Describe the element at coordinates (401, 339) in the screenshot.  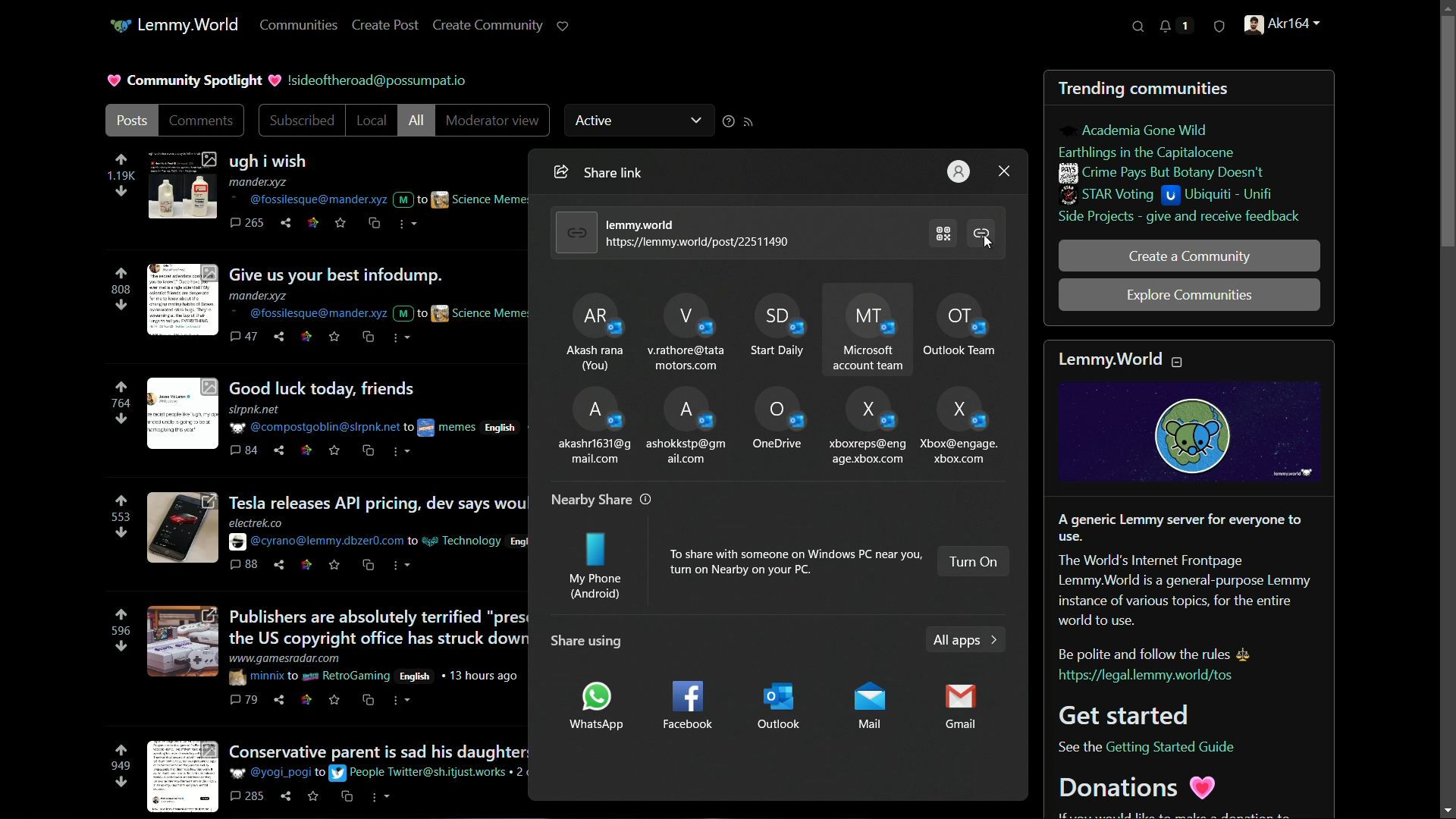
I see `more actions` at that location.